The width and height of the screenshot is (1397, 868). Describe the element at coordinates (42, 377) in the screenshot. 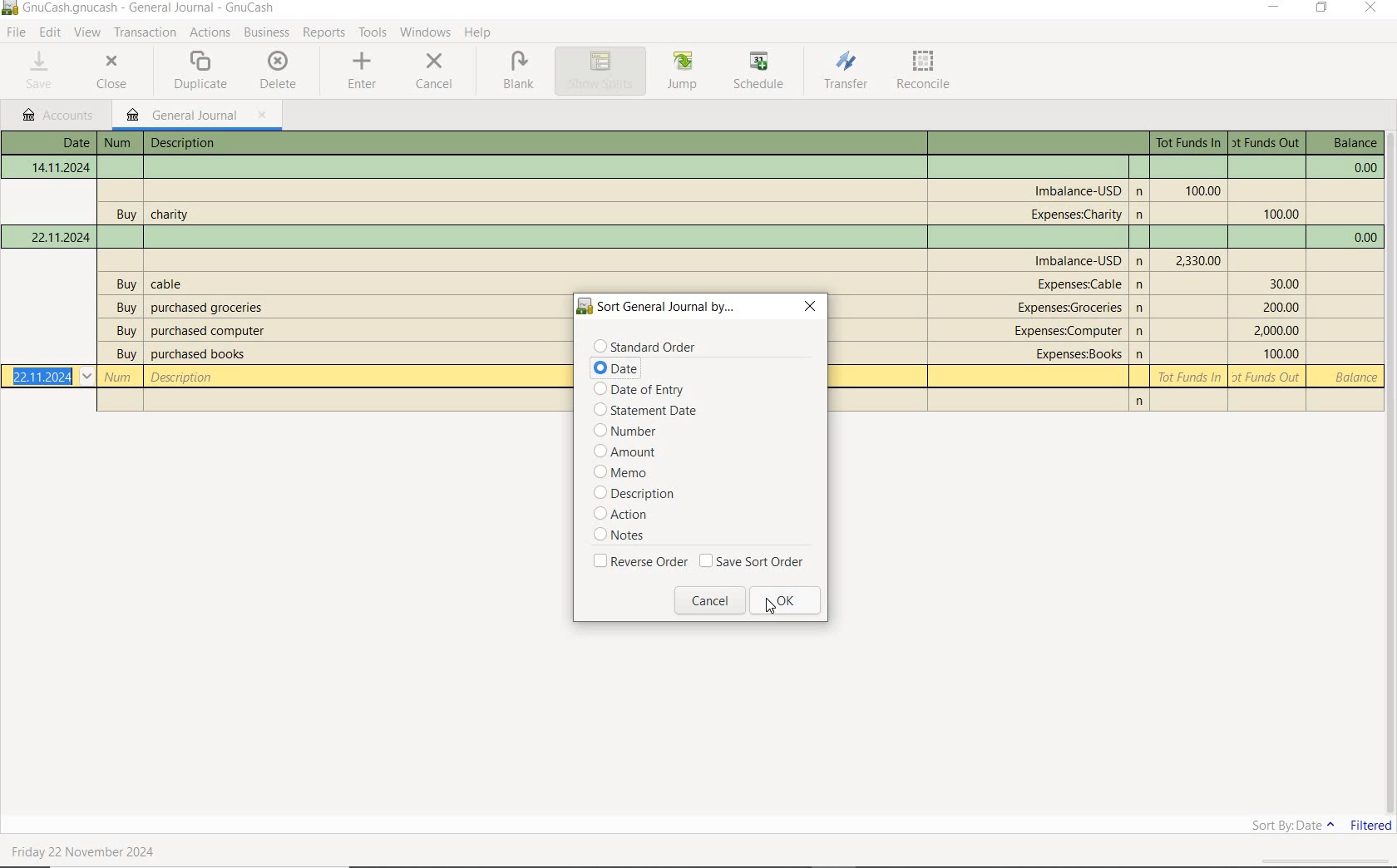

I see `Date` at that location.